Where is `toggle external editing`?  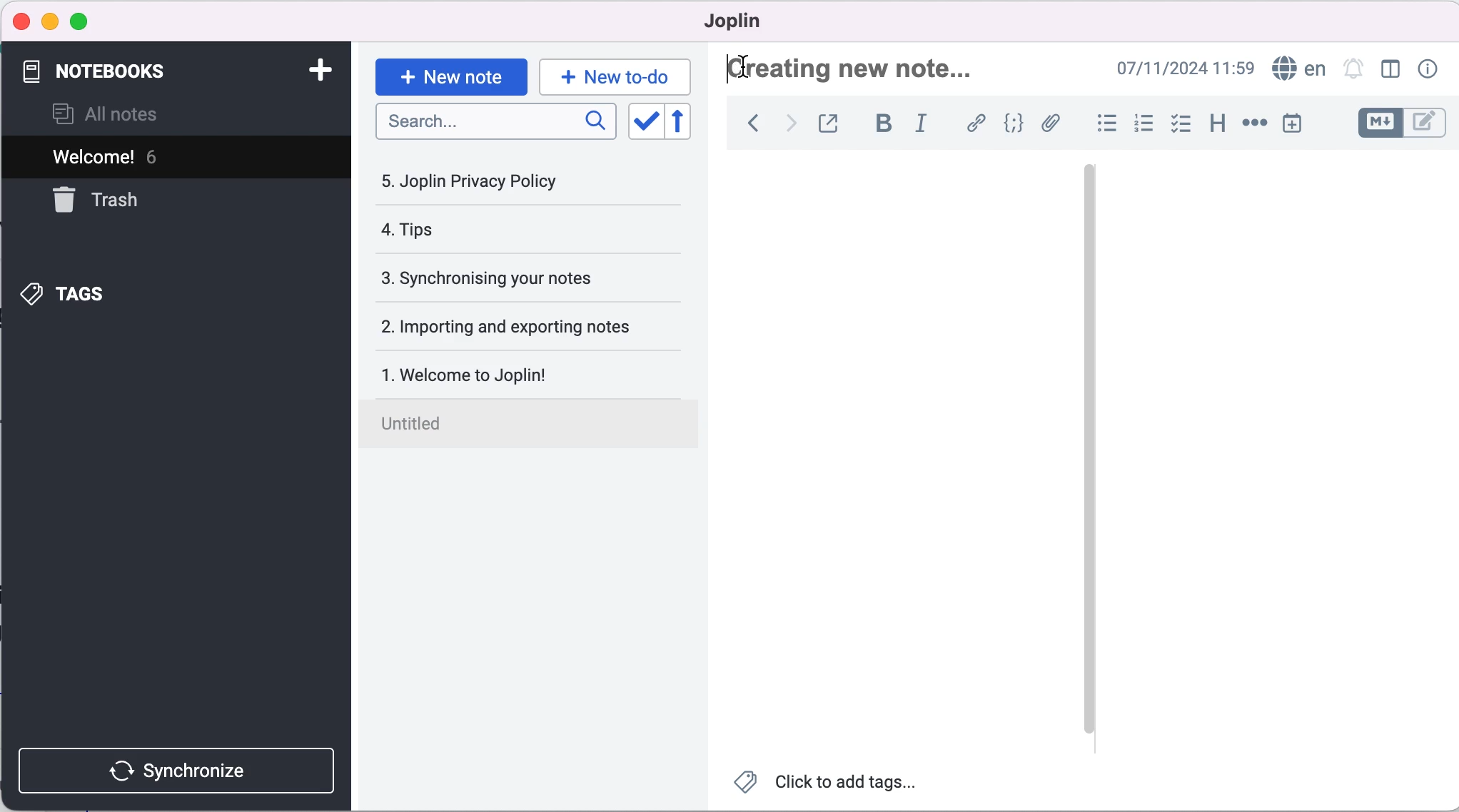 toggle external editing is located at coordinates (831, 123).